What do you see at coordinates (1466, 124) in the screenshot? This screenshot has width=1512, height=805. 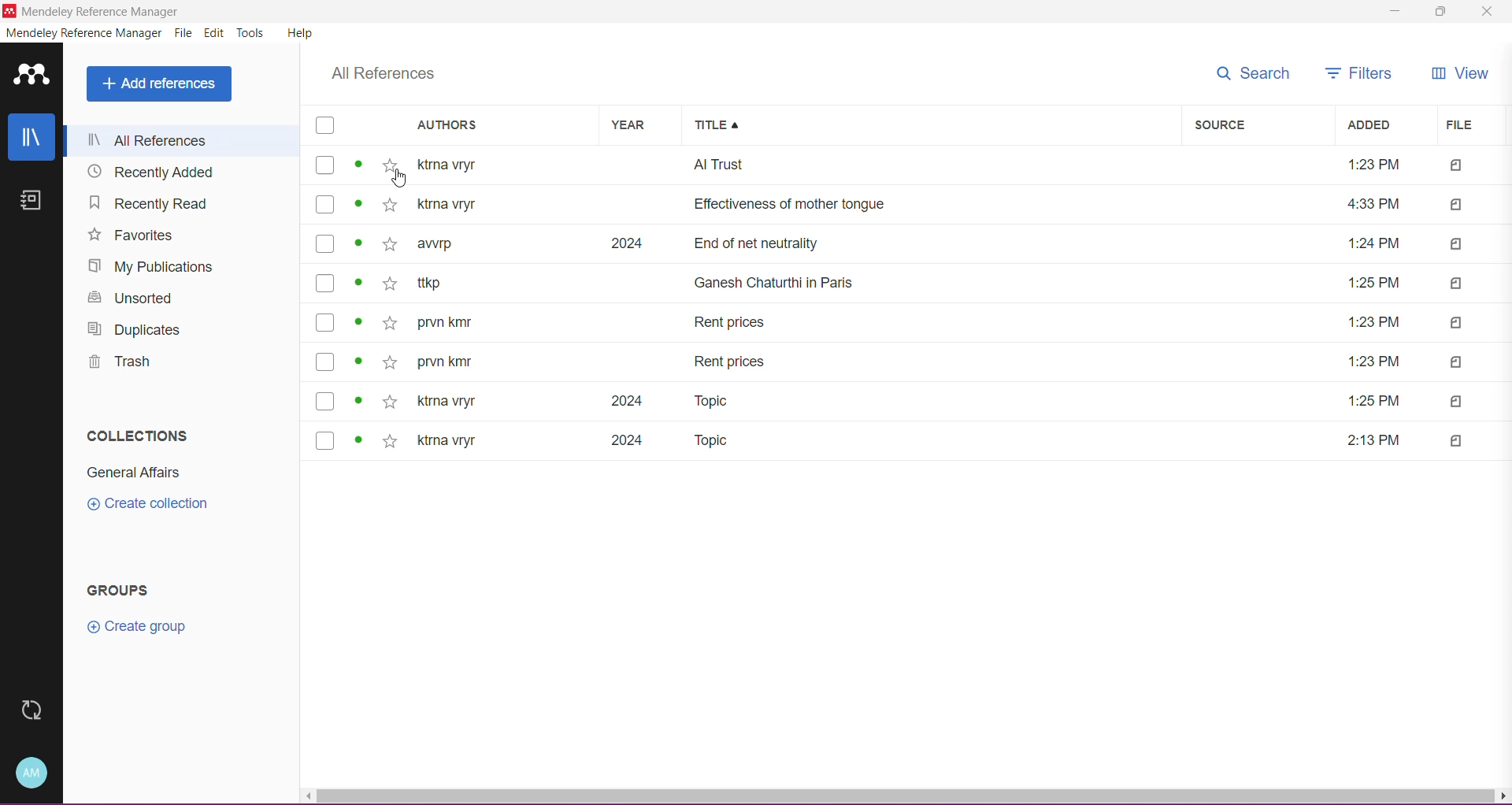 I see `File` at bounding box center [1466, 124].